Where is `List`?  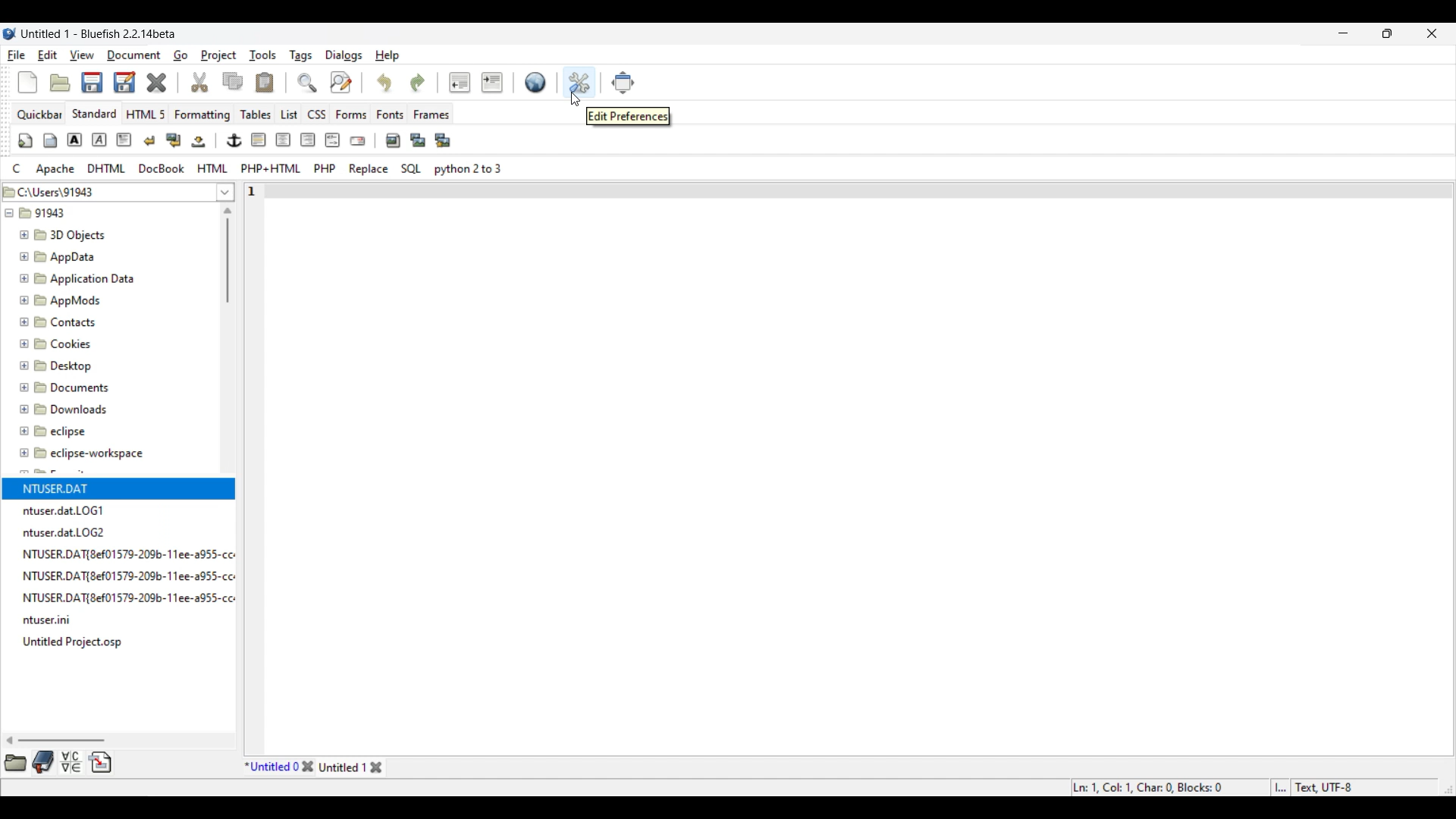 List is located at coordinates (289, 115).